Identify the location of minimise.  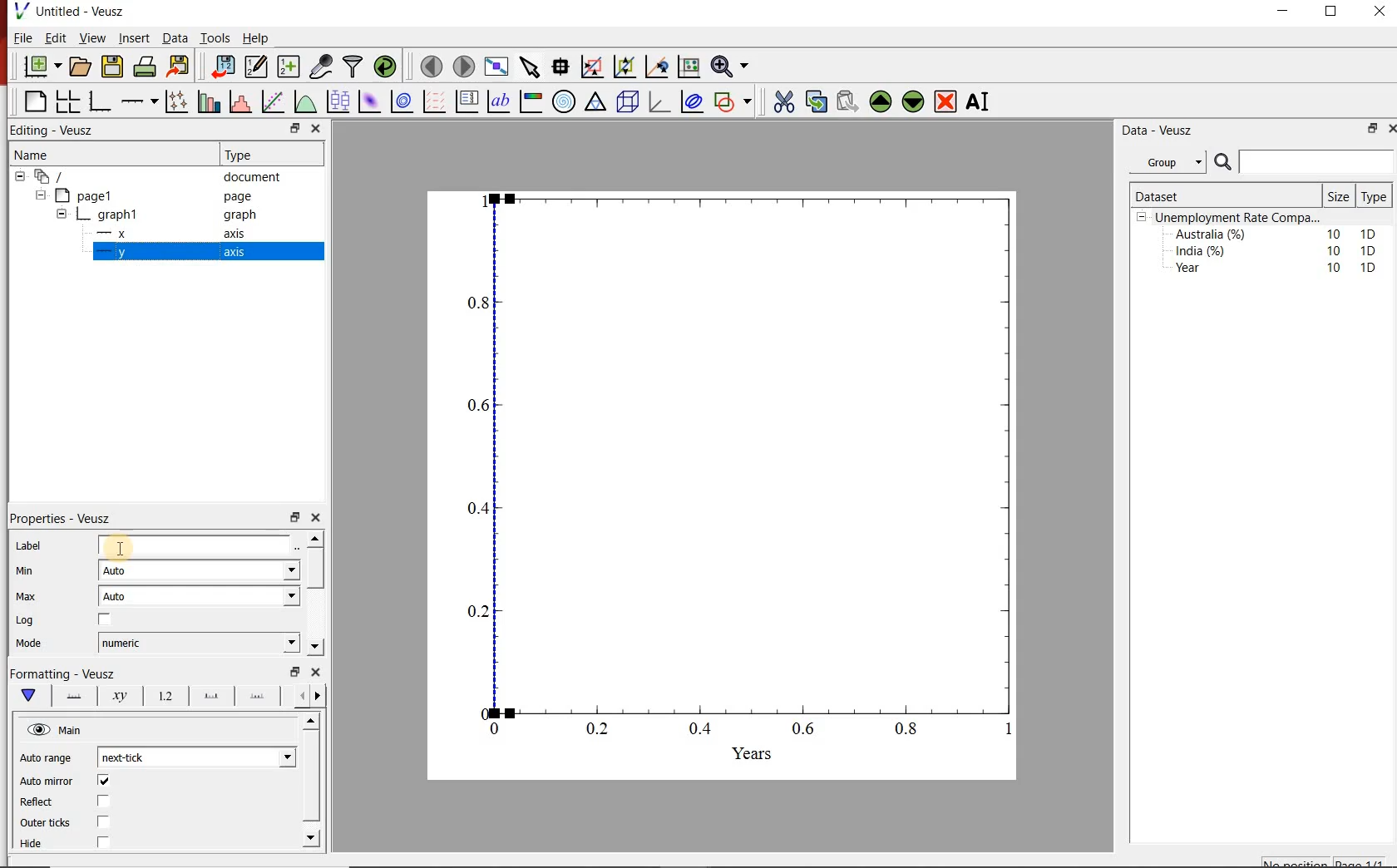
(1287, 15).